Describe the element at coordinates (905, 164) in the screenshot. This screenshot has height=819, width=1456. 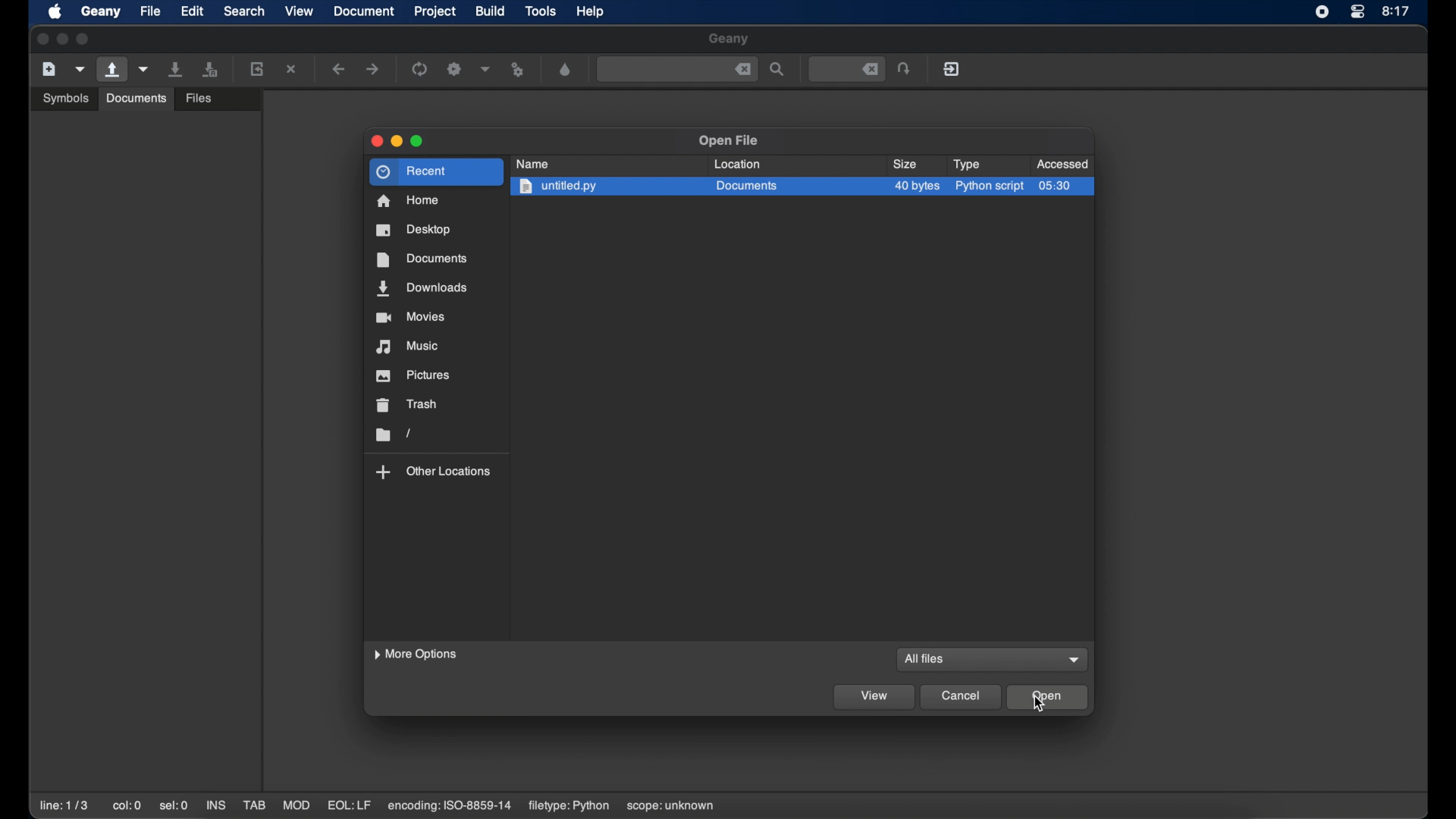
I see `size` at that location.